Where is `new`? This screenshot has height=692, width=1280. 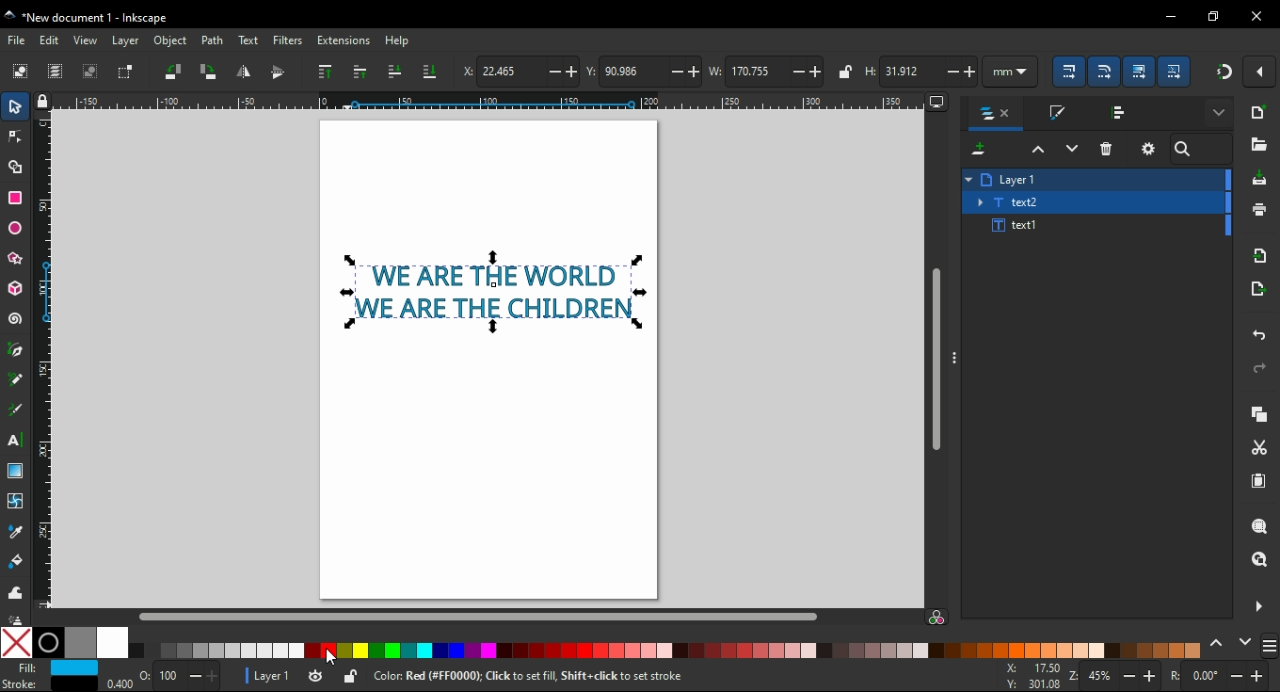
new is located at coordinates (1257, 113).